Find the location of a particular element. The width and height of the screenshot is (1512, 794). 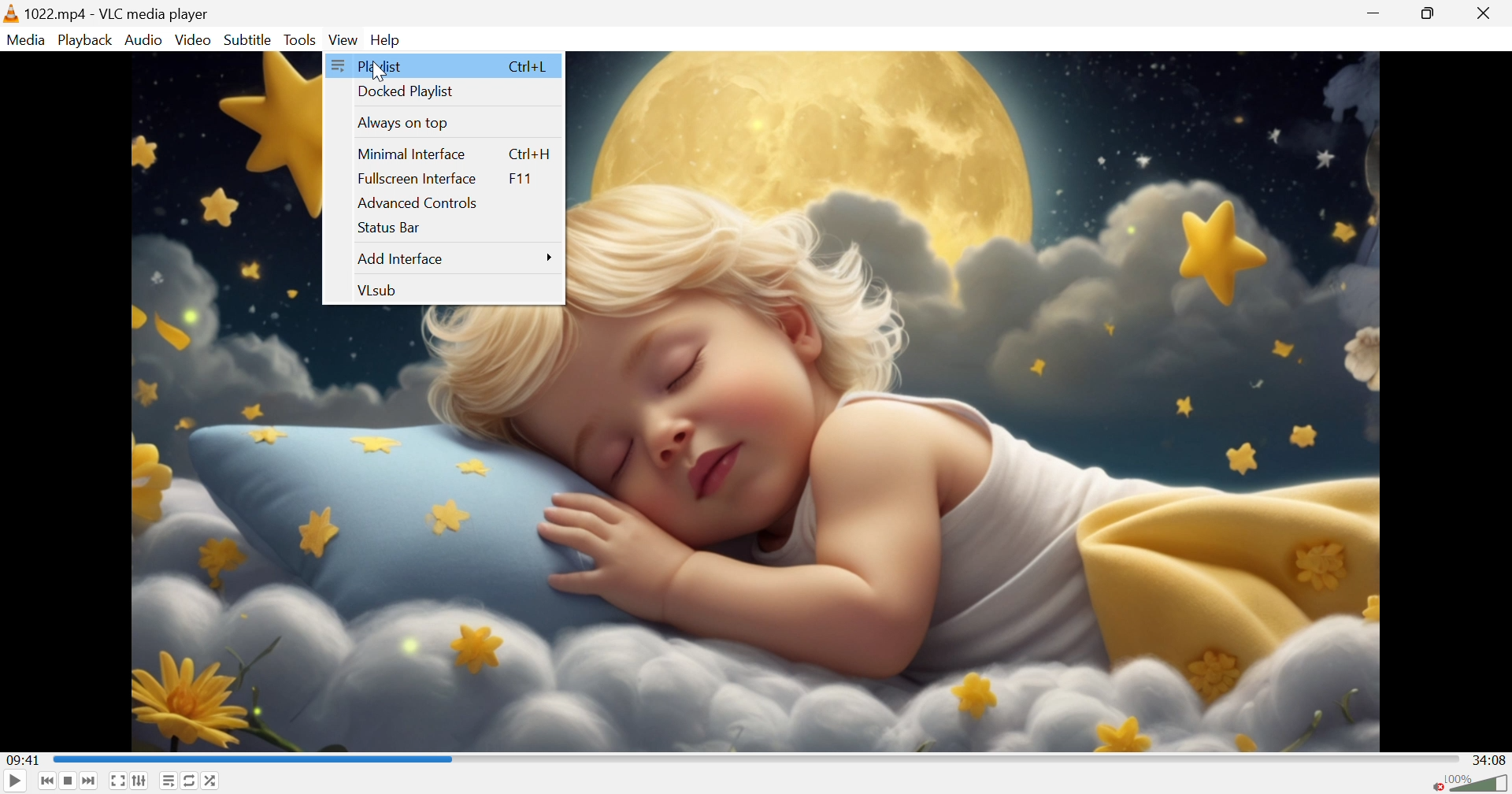

Minimize is located at coordinates (1373, 13).